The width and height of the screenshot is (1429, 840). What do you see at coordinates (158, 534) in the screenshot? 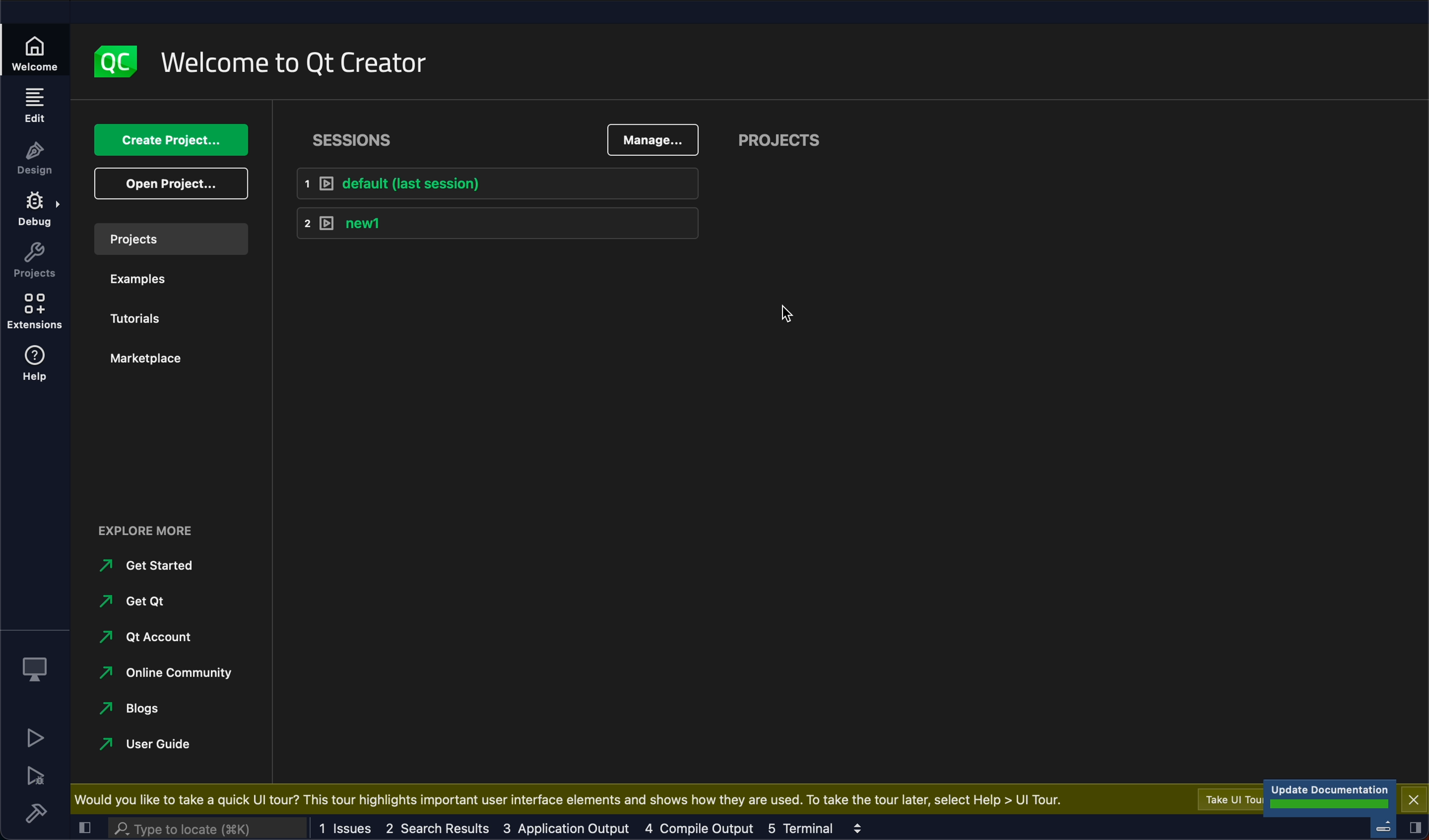
I see `explore more ` at bounding box center [158, 534].